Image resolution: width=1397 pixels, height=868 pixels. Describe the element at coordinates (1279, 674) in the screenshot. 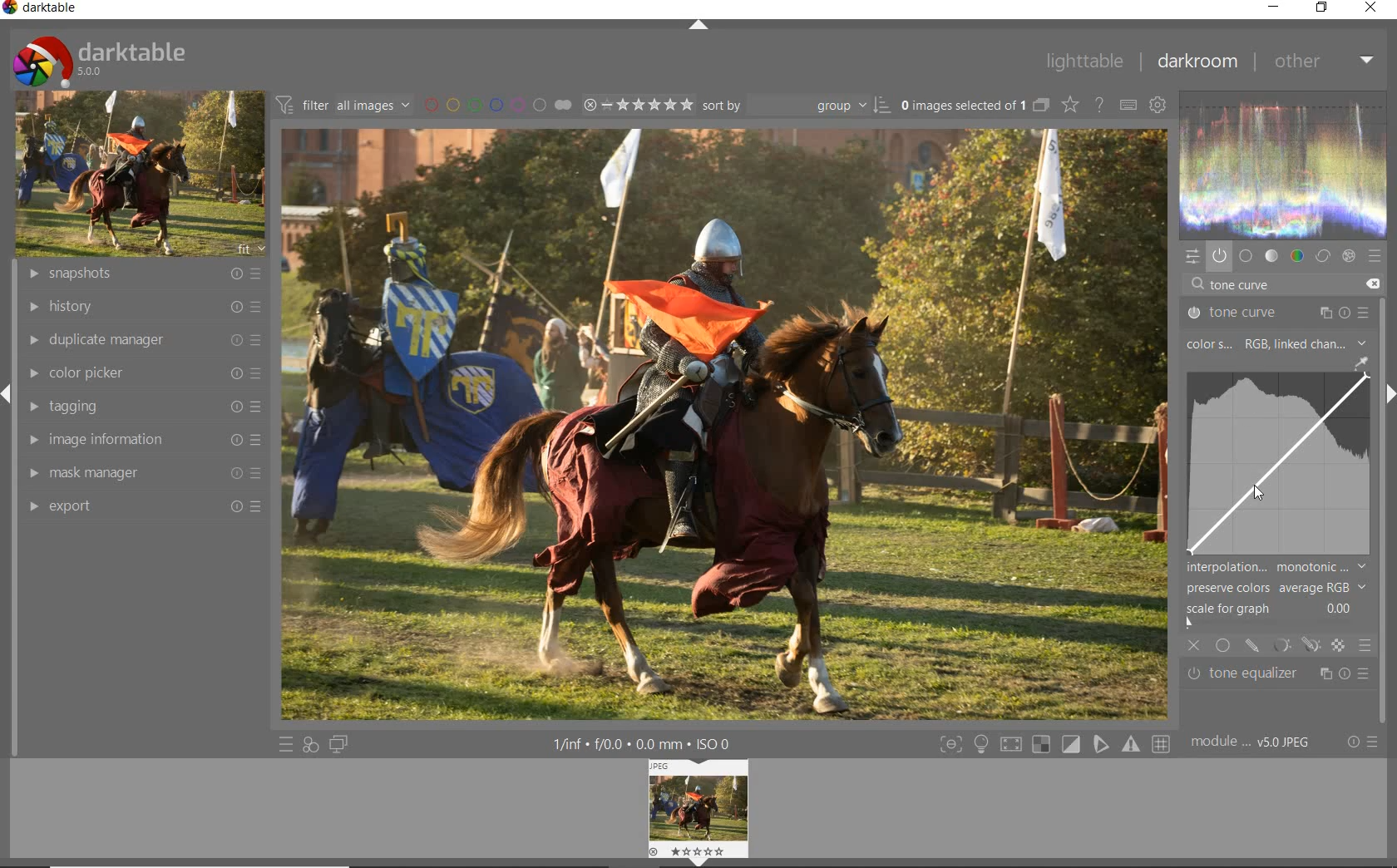

I see `tone equalizer` at that location.